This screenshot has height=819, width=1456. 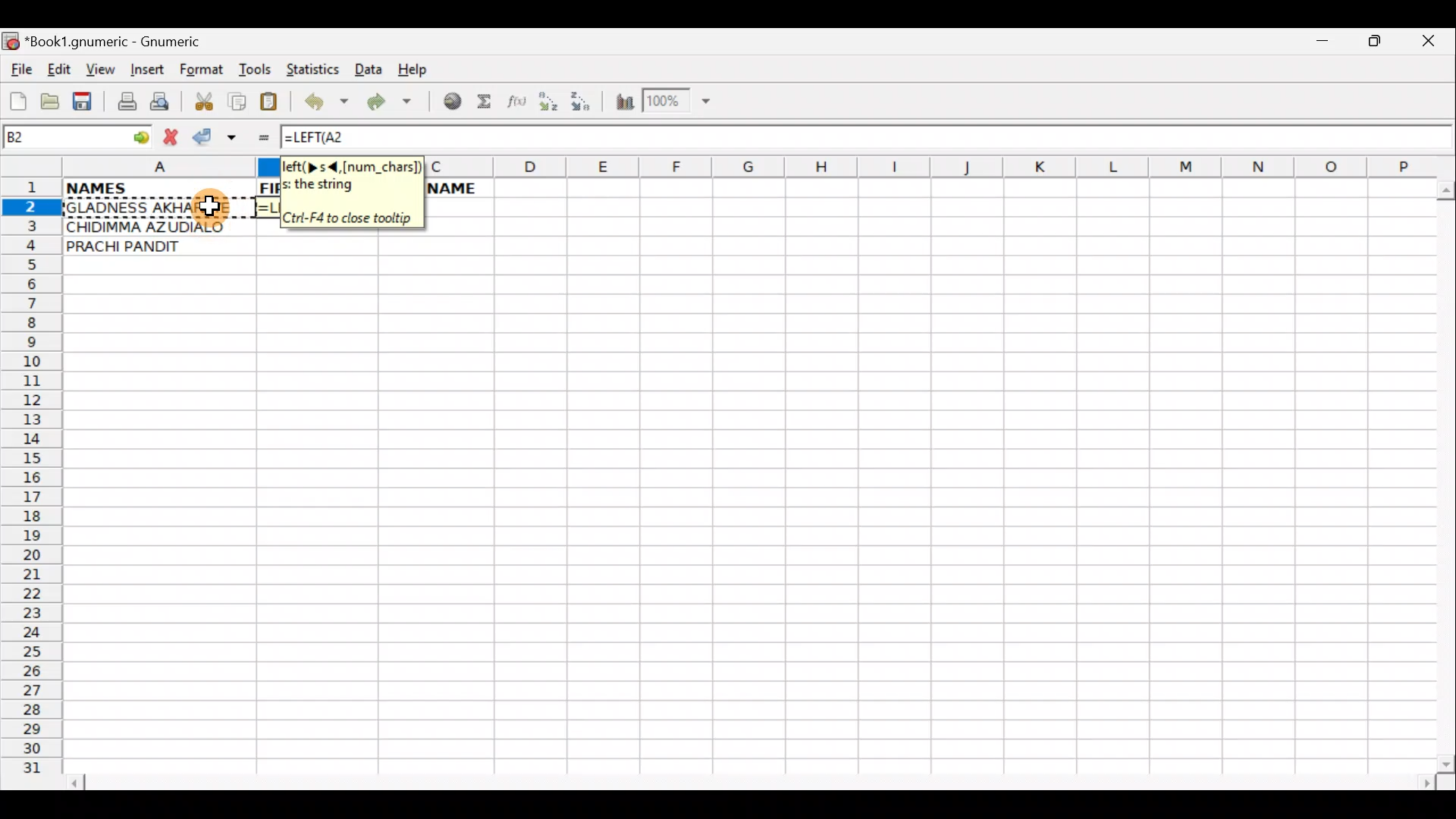 I want to click on Scroll bar, so click(x=754, y=780).